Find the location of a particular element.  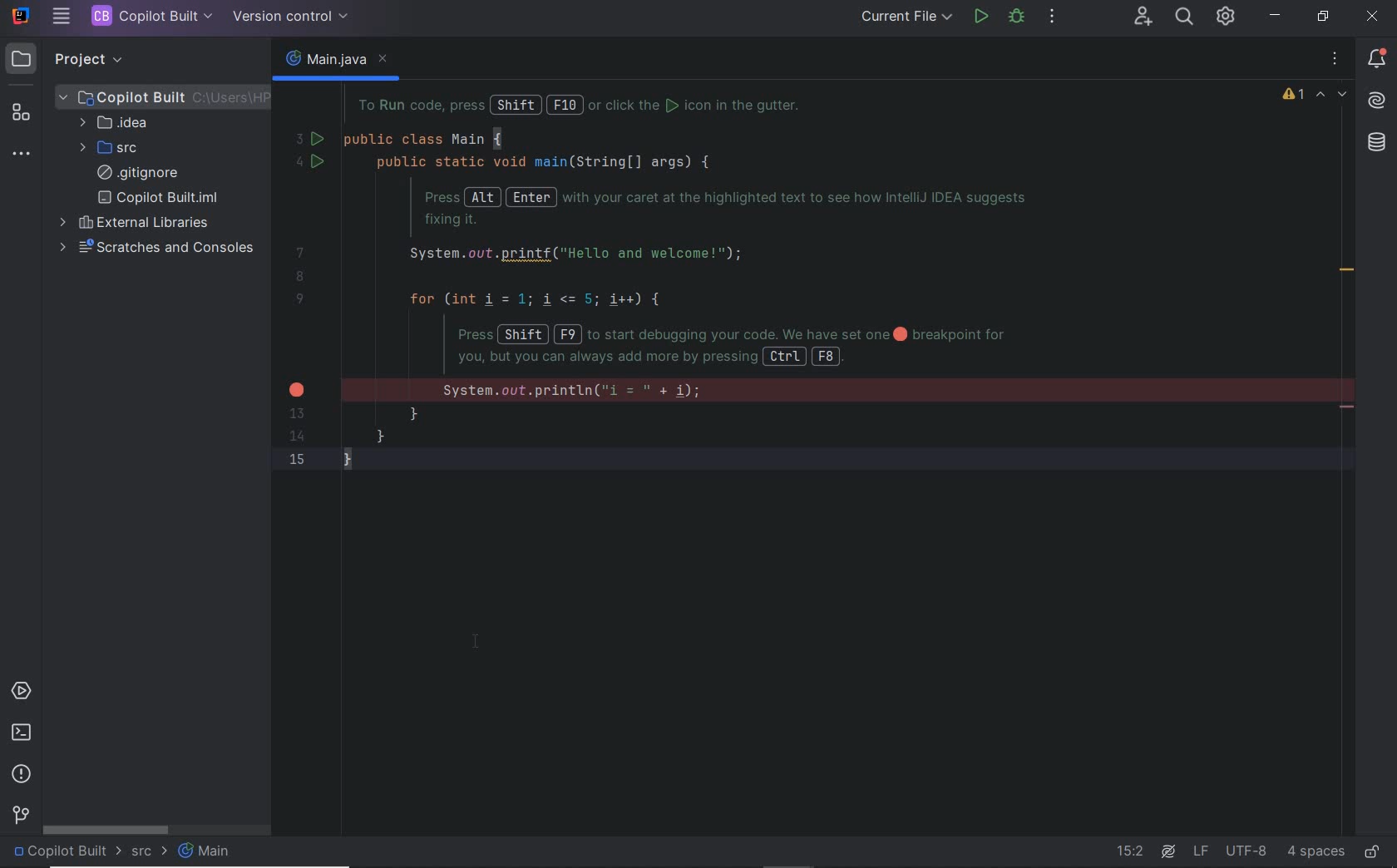

src is located at coordinates (151, 852).